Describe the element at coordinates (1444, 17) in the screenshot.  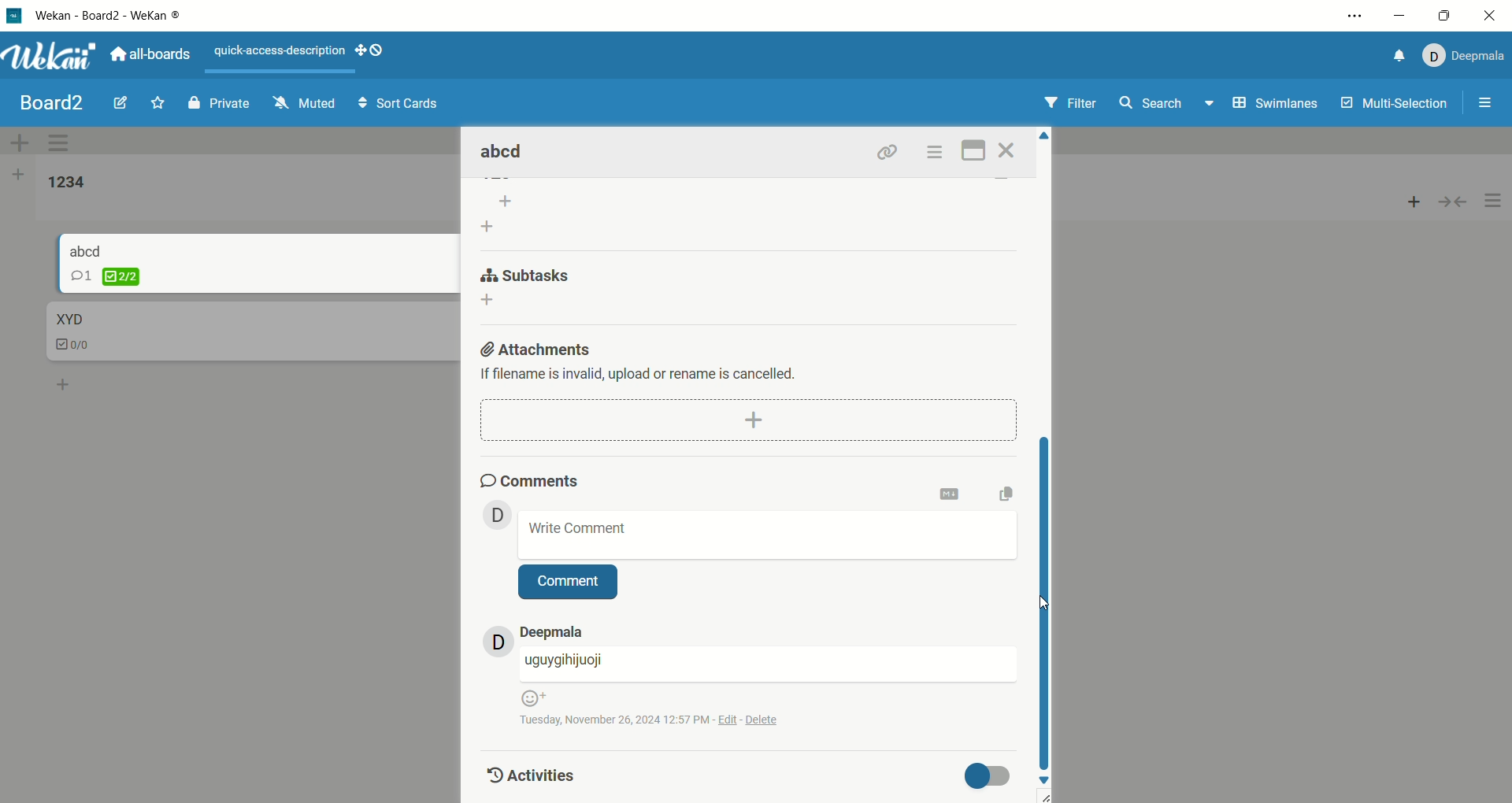
I see `maximize` at that location.